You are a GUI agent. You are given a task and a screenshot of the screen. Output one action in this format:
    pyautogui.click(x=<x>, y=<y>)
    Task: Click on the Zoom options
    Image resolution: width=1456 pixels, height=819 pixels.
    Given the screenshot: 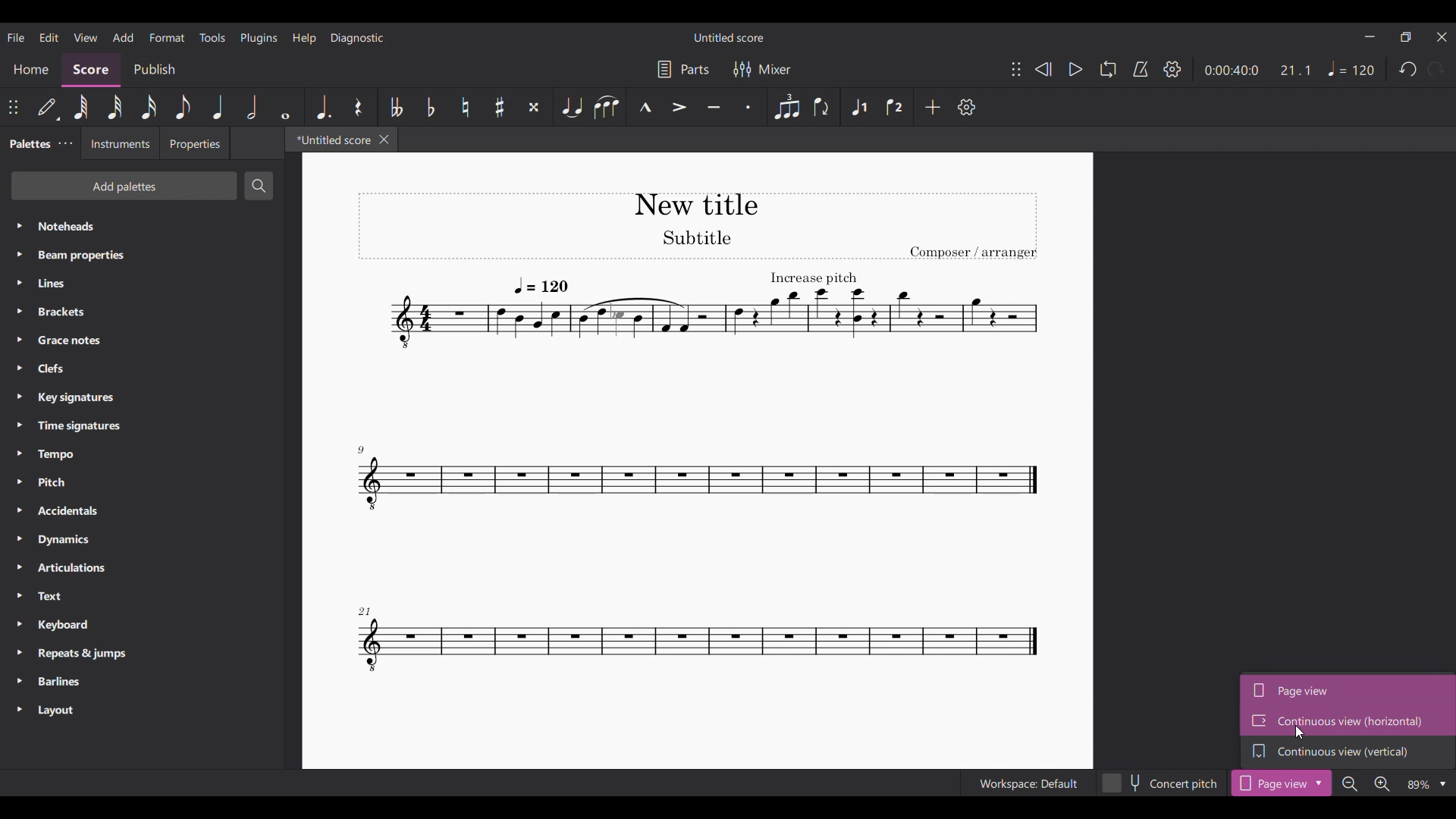 What is the action you would take?
    pyautogui.click(x=1426, y=784)
    